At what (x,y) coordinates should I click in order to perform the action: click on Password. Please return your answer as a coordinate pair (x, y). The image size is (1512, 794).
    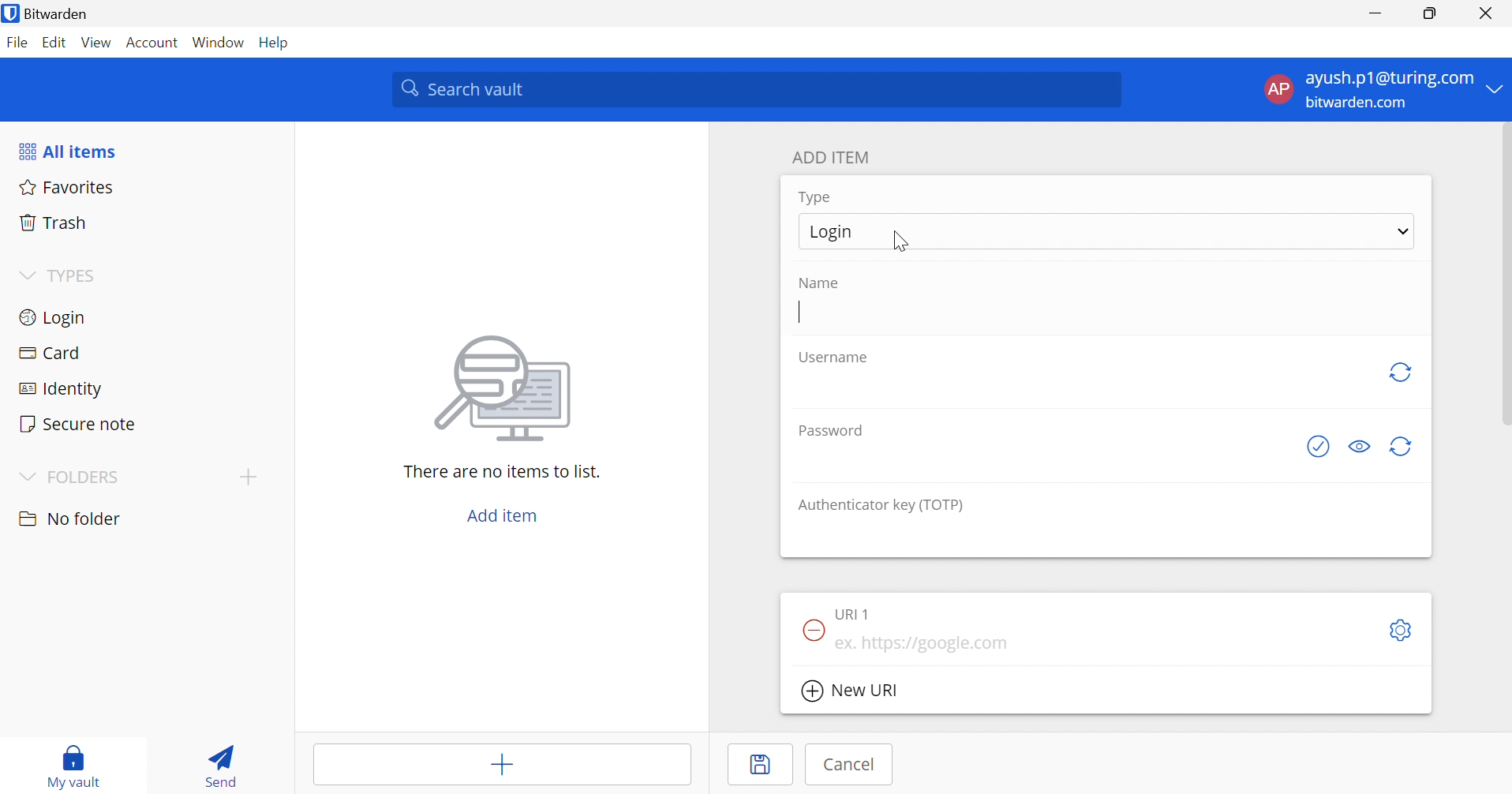
    Looking at the image, I should click on (830, 432).